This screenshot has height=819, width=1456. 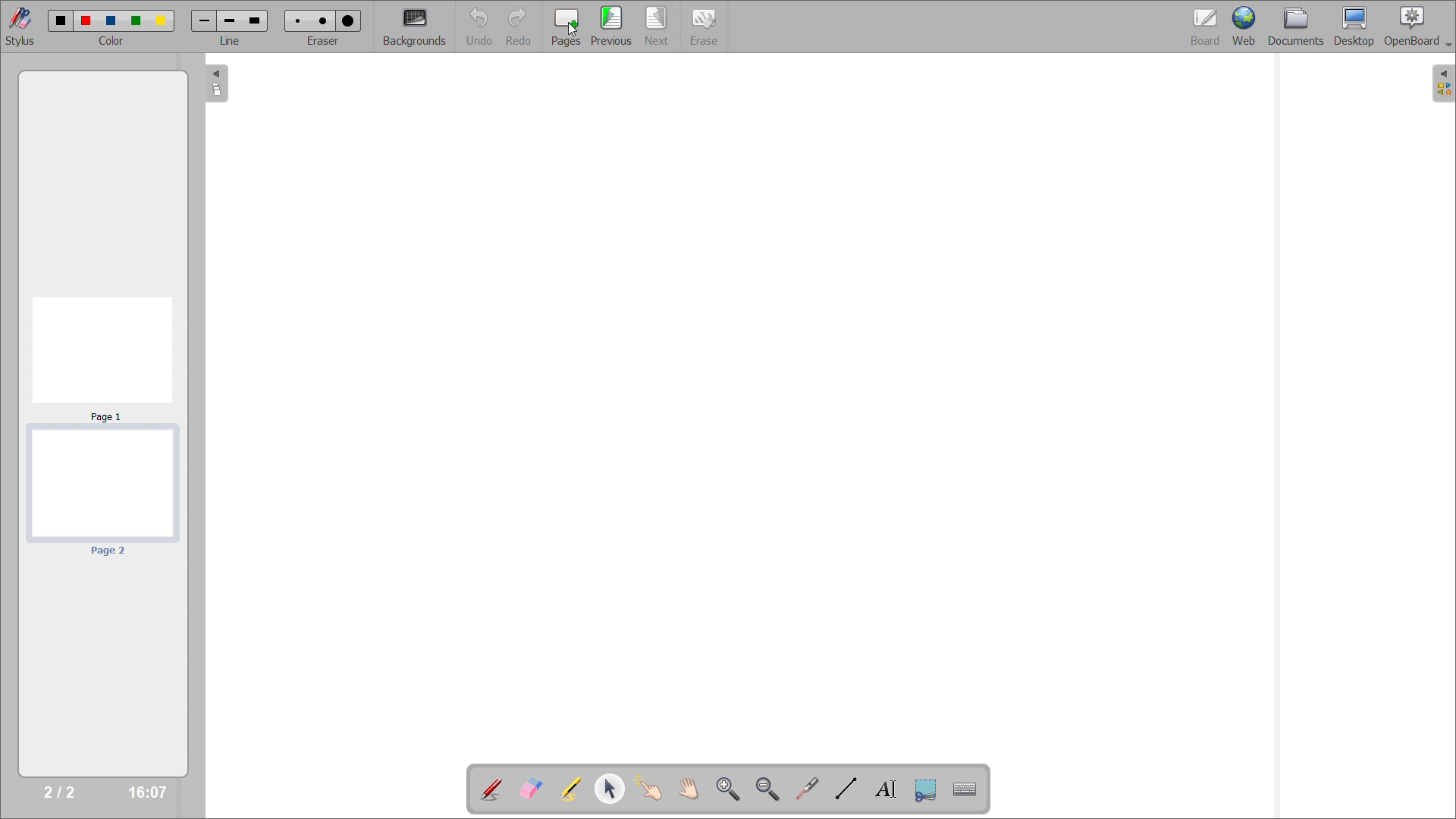 What do you see at coordinates (1295, 27) in the screenshot?
I see `documents` at bounding box center [1295, 27].